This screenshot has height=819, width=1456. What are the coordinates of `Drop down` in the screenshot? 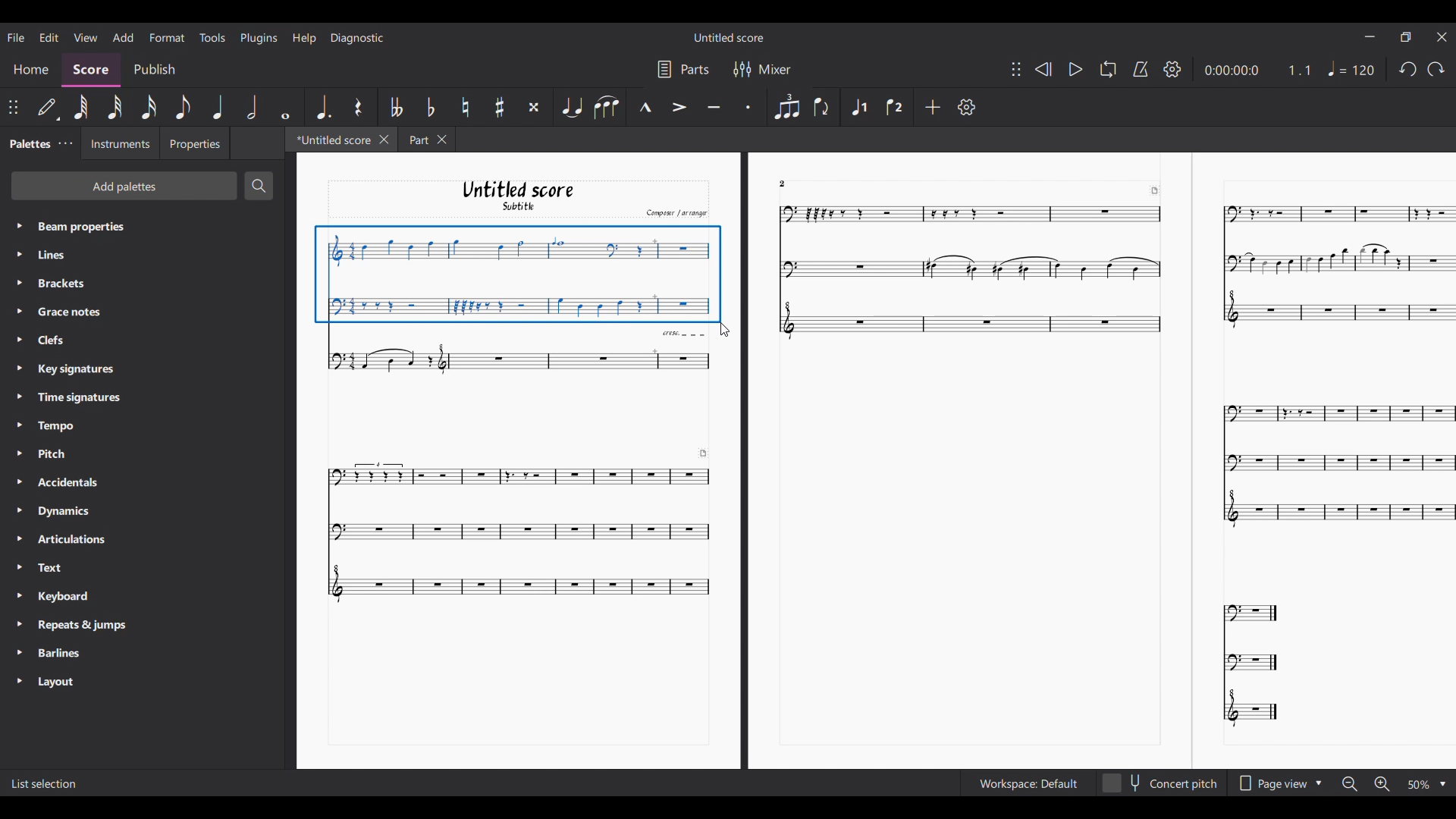 It's located at (1321, 782).